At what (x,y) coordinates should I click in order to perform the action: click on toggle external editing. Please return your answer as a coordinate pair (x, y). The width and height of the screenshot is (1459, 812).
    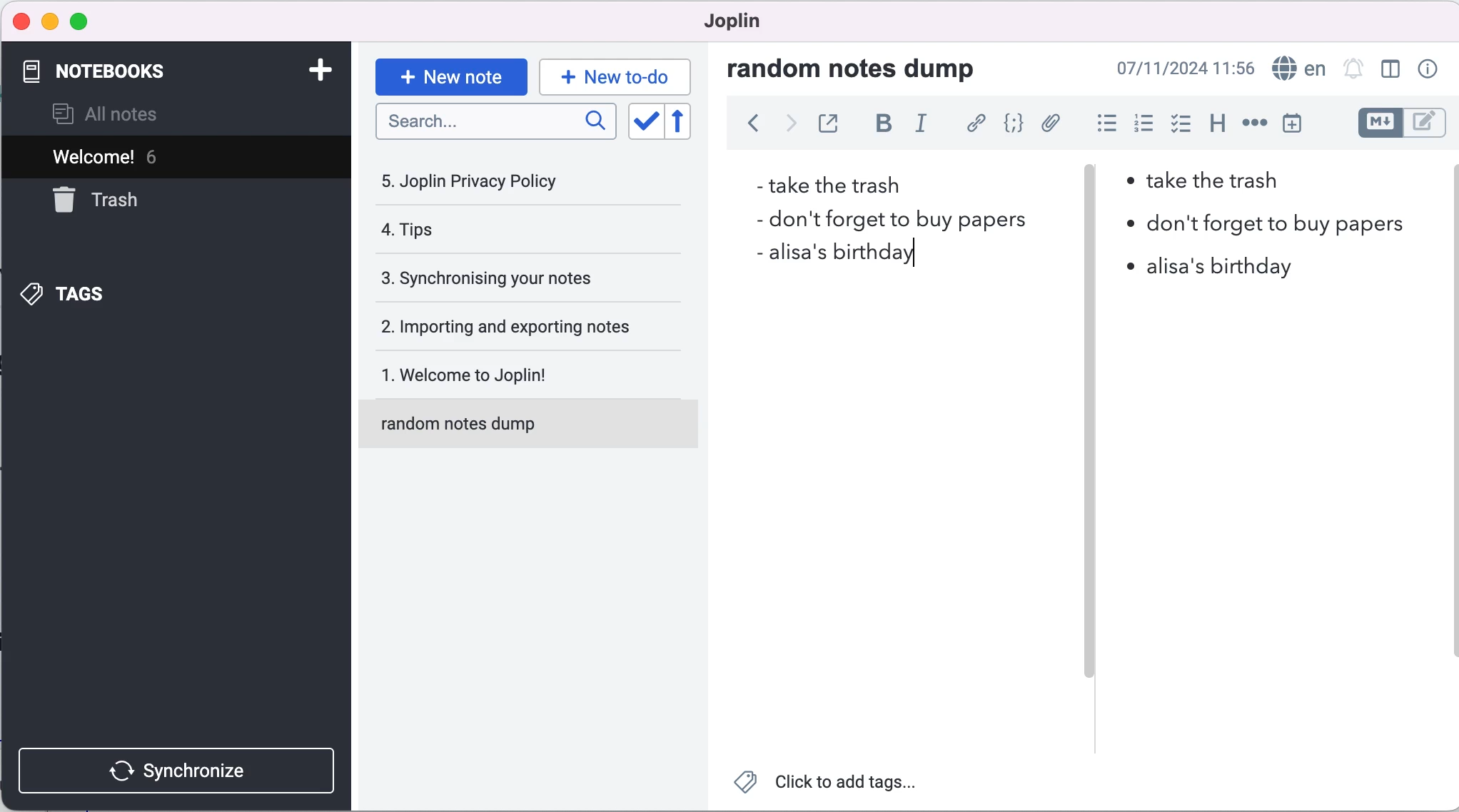
    Looking at the image, I should click on (828, 125).